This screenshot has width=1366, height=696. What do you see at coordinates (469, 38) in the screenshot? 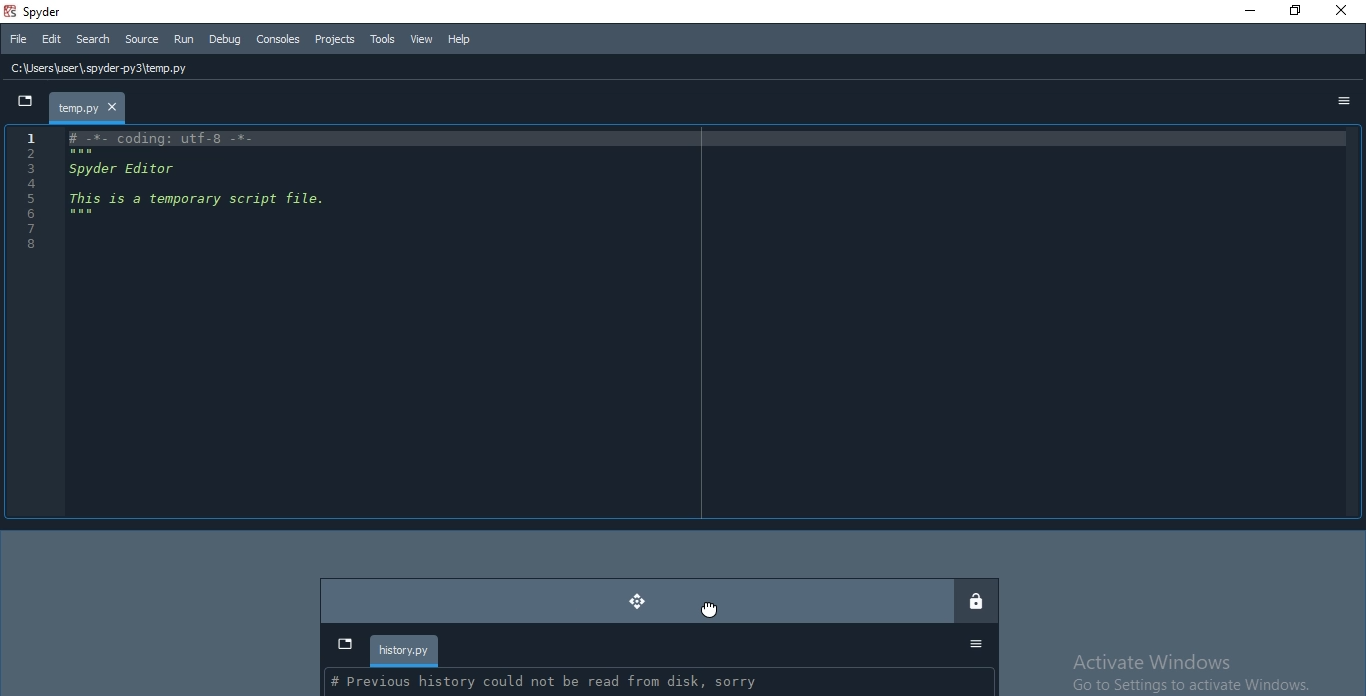
I see `Help` at bounding box center [469, 38].